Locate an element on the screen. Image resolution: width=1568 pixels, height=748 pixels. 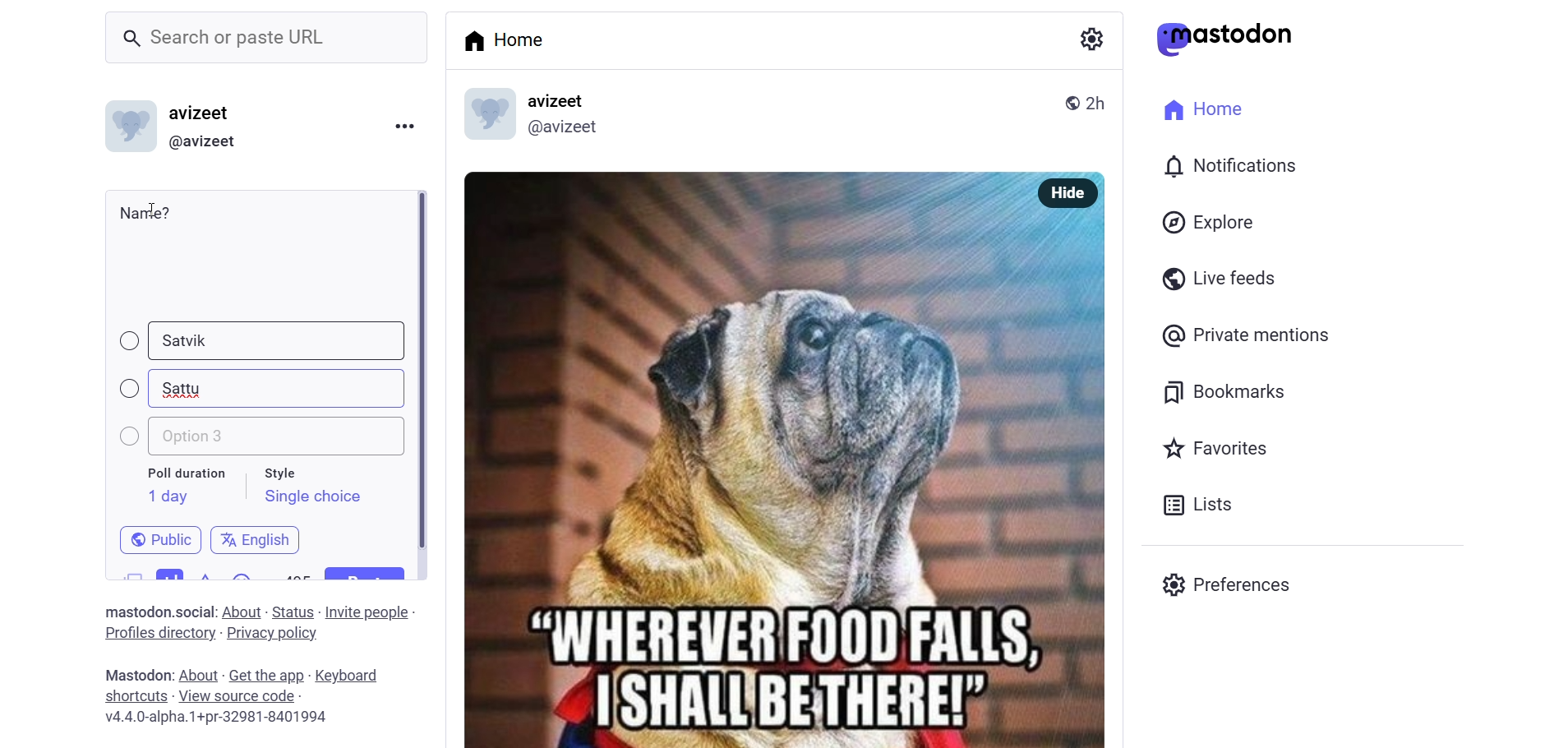
Search or paste URL is located at coordinates (266, 38).